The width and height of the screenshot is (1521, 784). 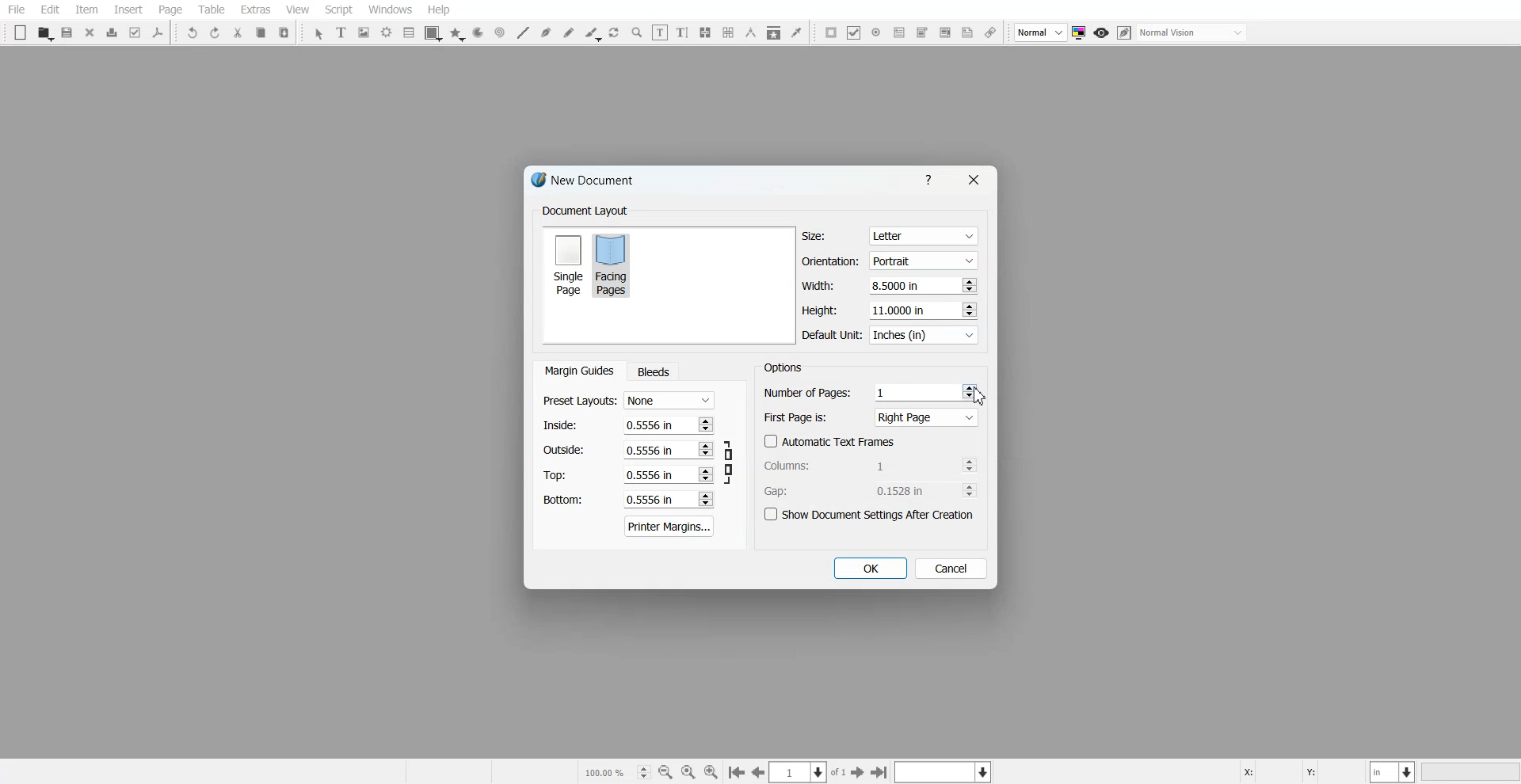 I want to click on Cancel, so click(x=951, y=568).